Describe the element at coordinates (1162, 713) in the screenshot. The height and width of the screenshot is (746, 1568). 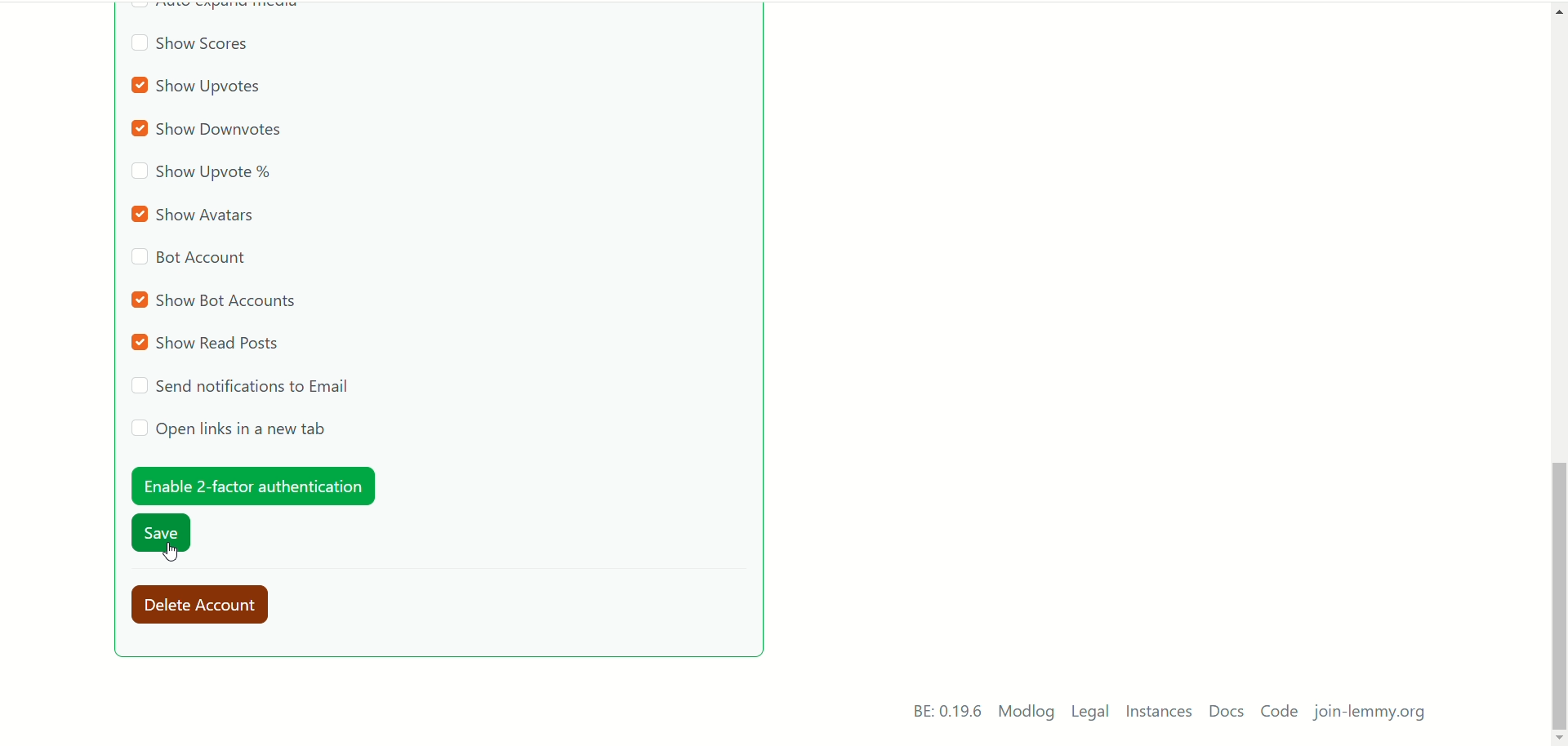
I see `INSTANCES` at that location.